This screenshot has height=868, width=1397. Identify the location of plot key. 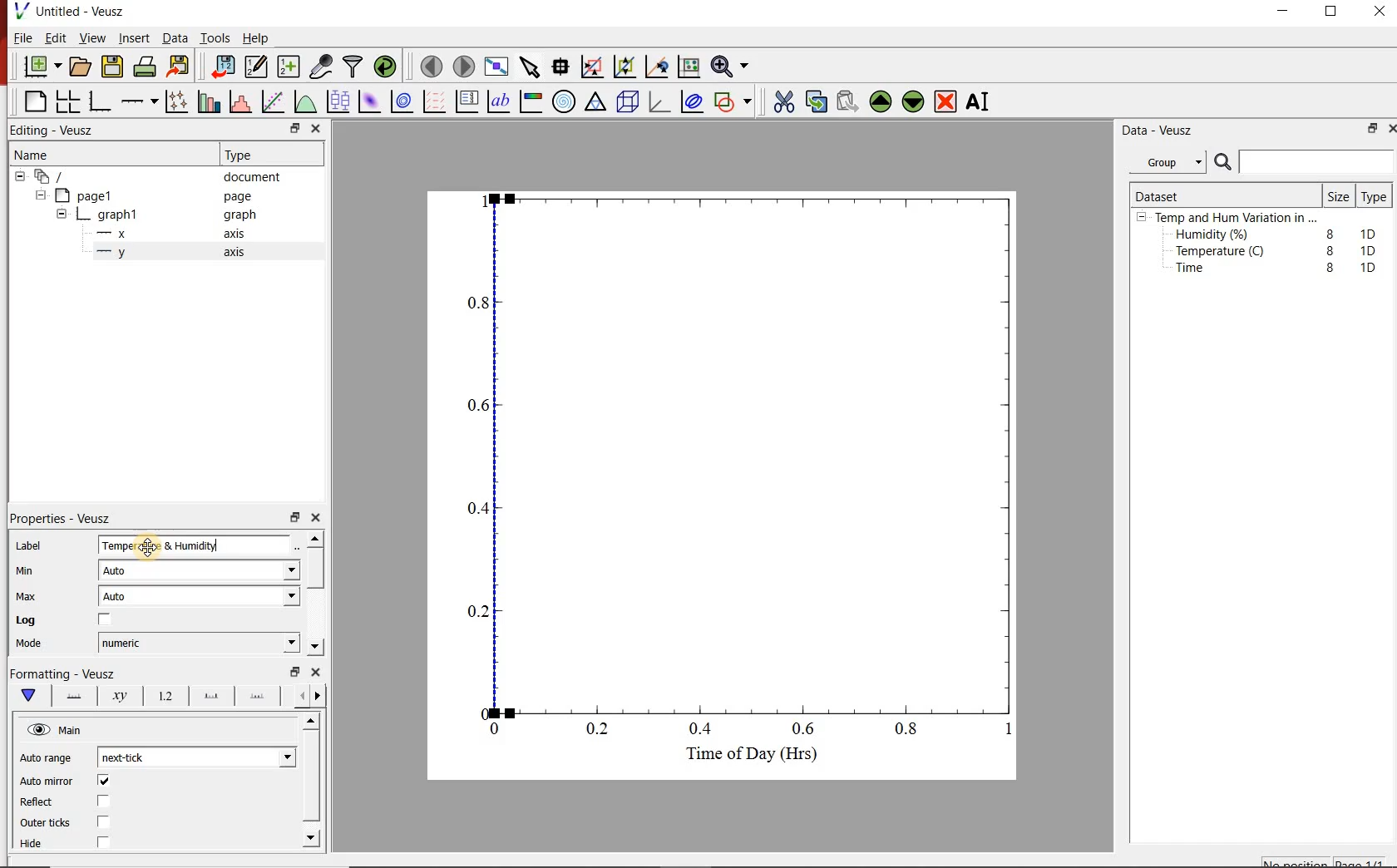
(470, 101).